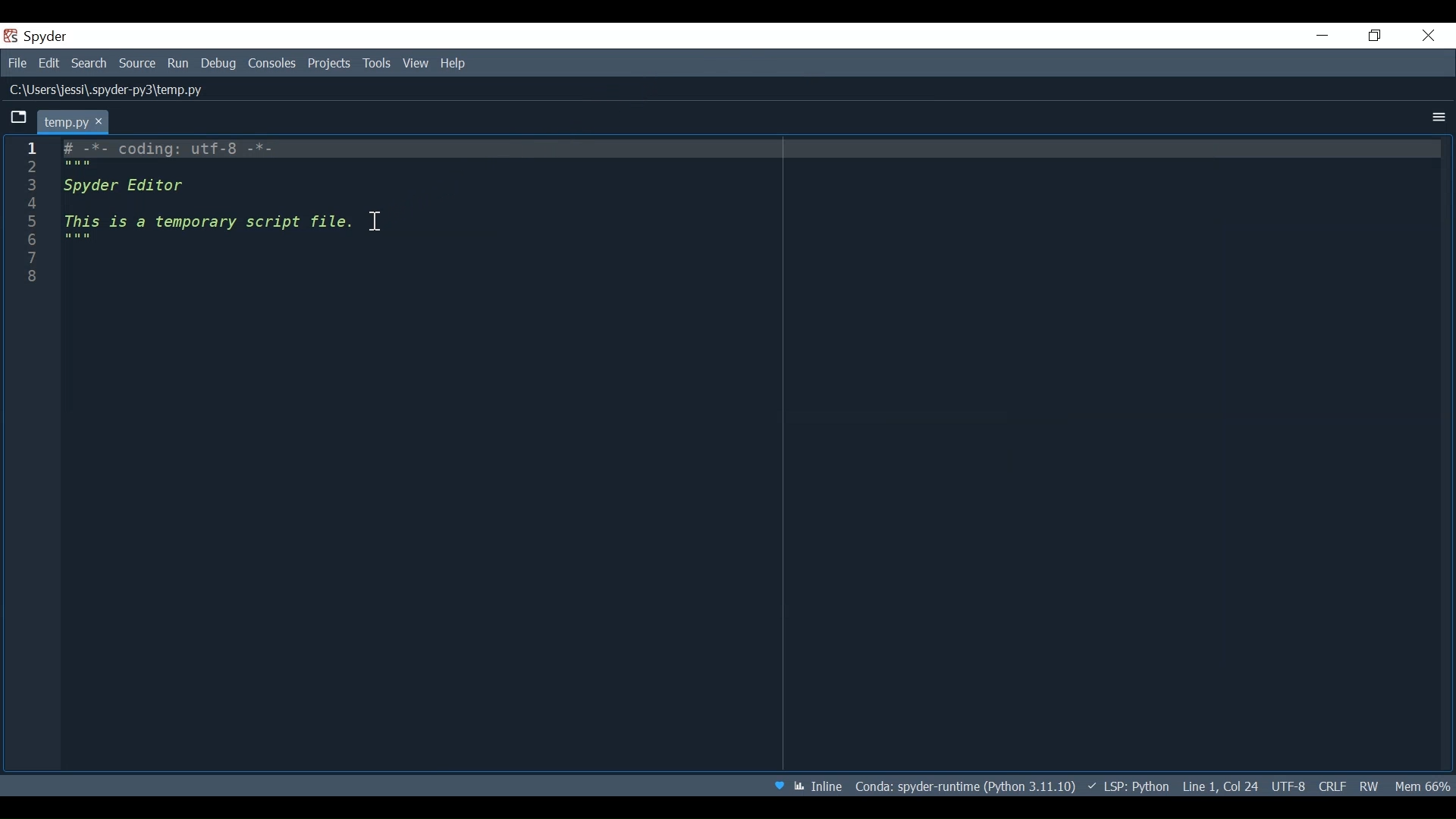  I want to click on File Path, so click(108, 90).